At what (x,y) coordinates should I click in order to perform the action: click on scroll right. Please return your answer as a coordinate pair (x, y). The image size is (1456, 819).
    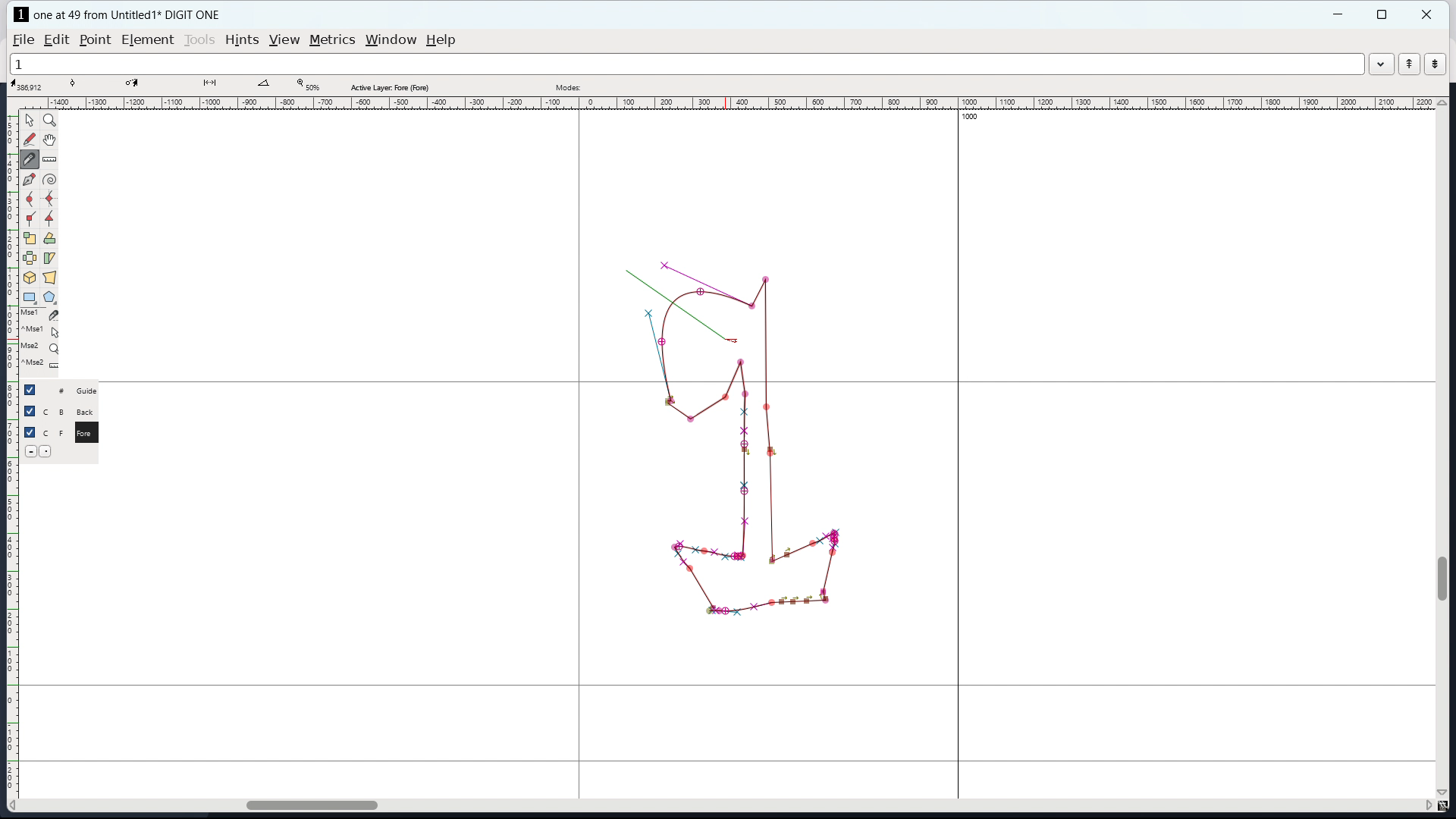
    Looking at the image, I should click on (1426, 806).